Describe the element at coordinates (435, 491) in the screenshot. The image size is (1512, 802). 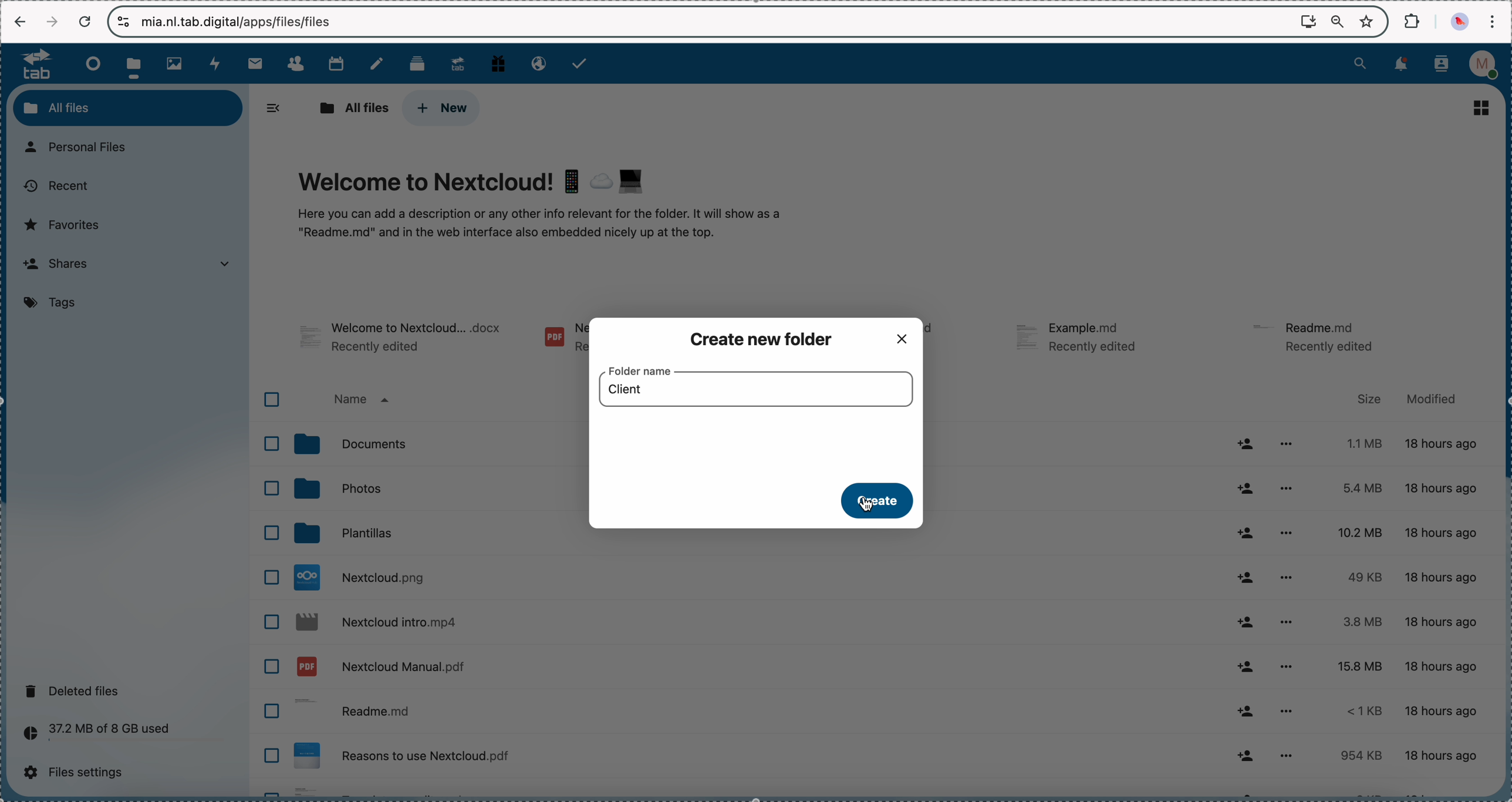
I see `photos` at that location.